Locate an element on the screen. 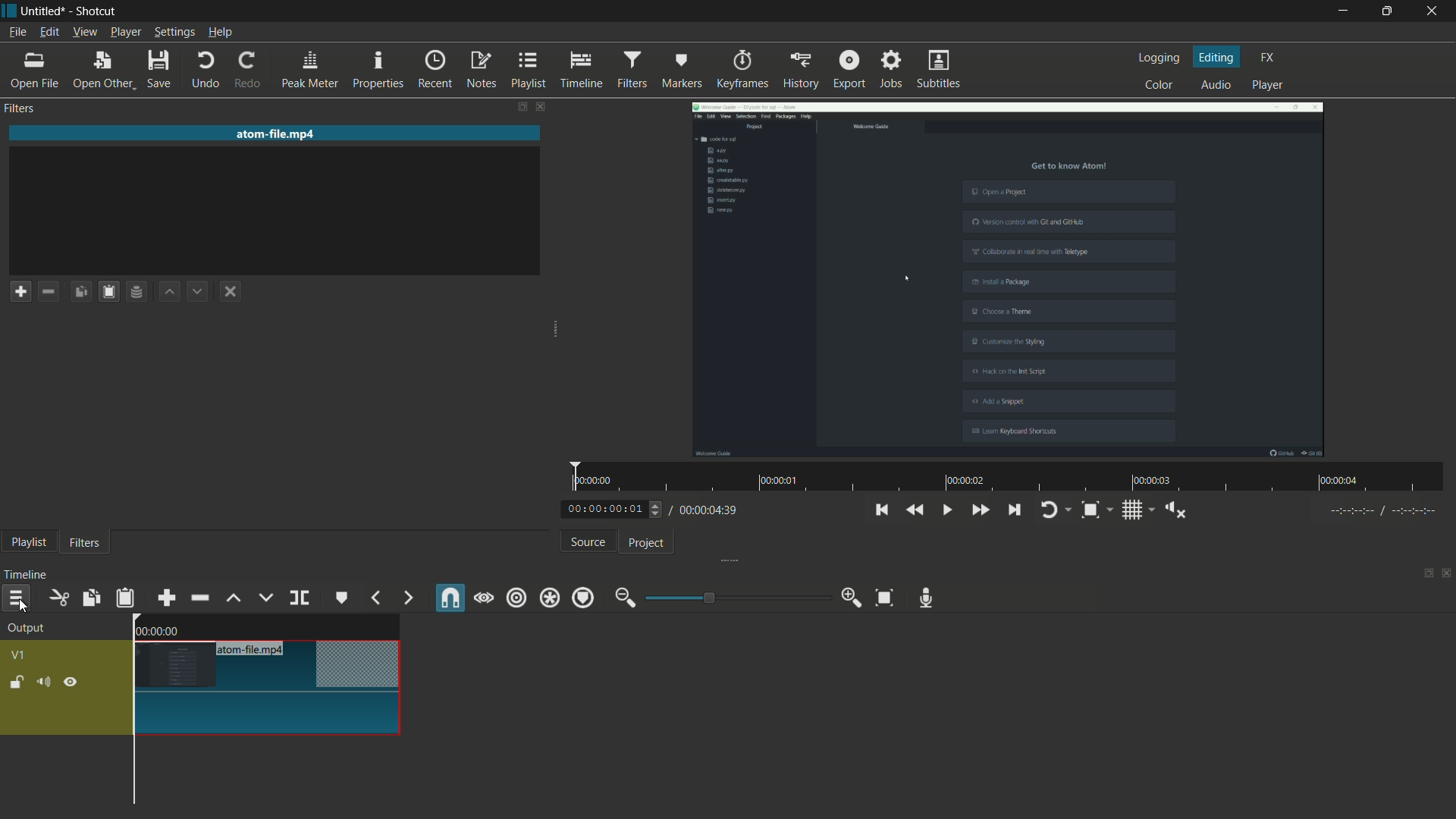 This screenshot has height=819, width=1456. paste filters is located at coordinates (108, 291).